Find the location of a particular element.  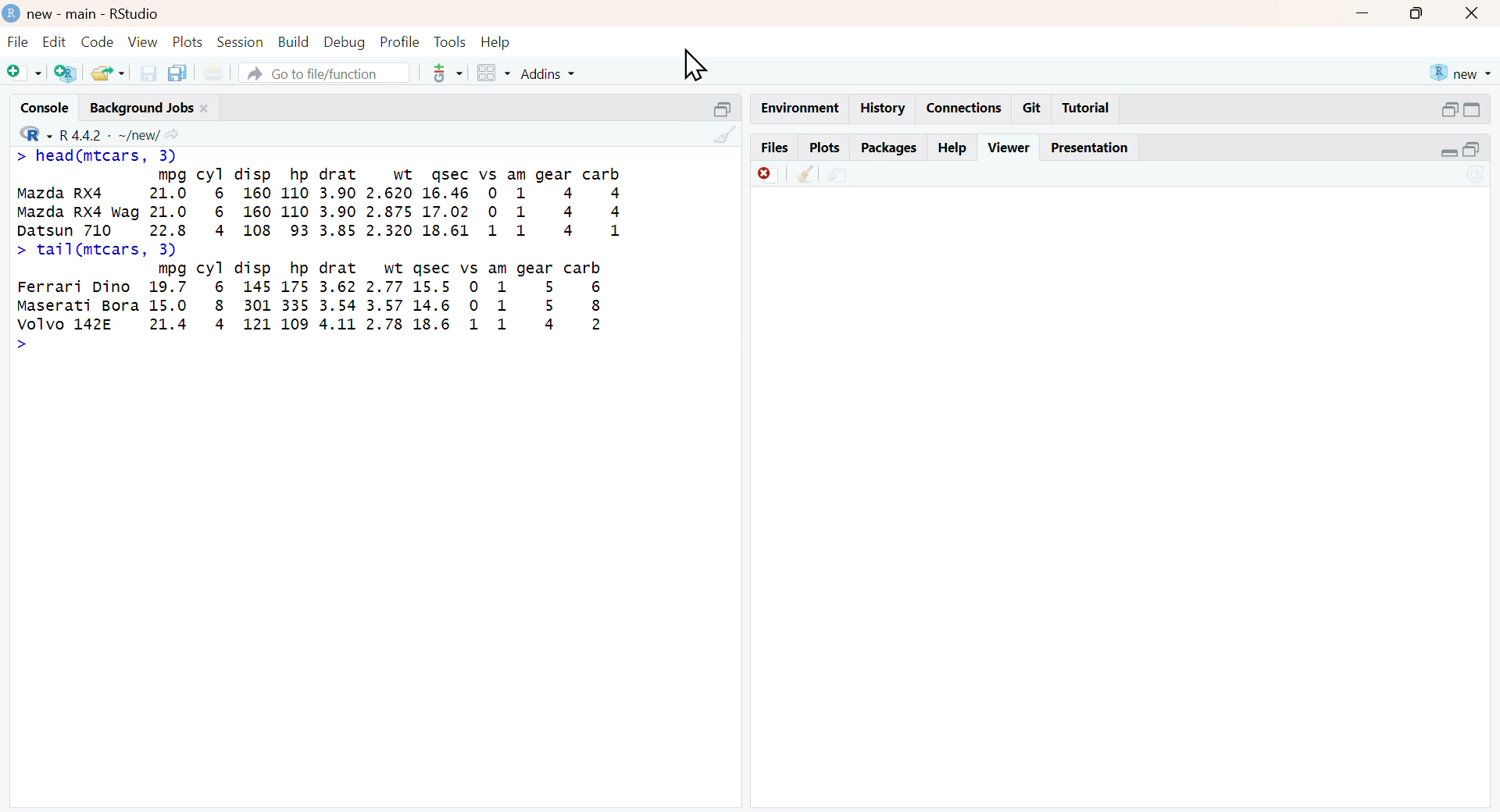

Save current doc is located at coordinates (144, 72).